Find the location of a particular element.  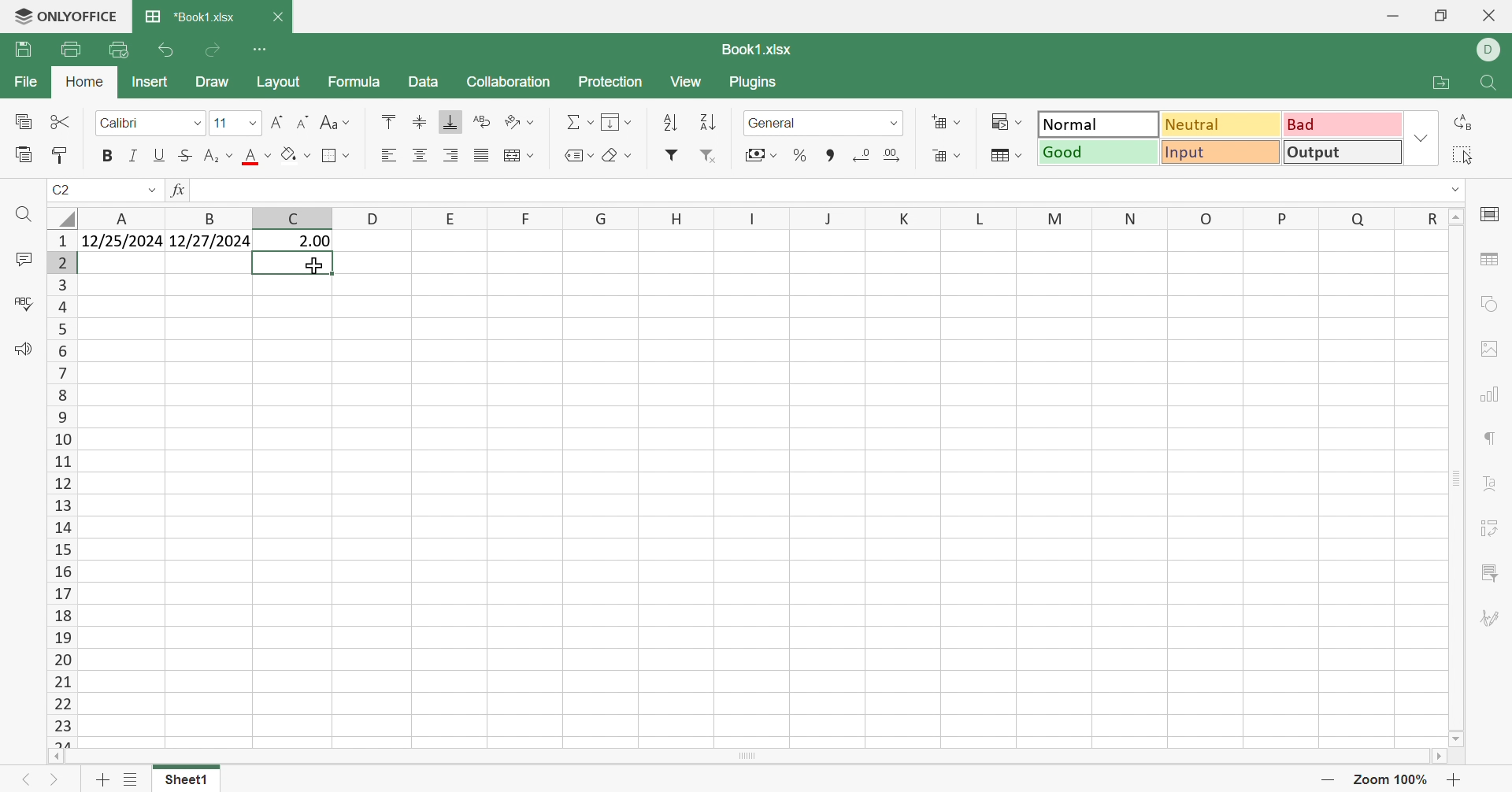

File is located at coordinates (28, 82).